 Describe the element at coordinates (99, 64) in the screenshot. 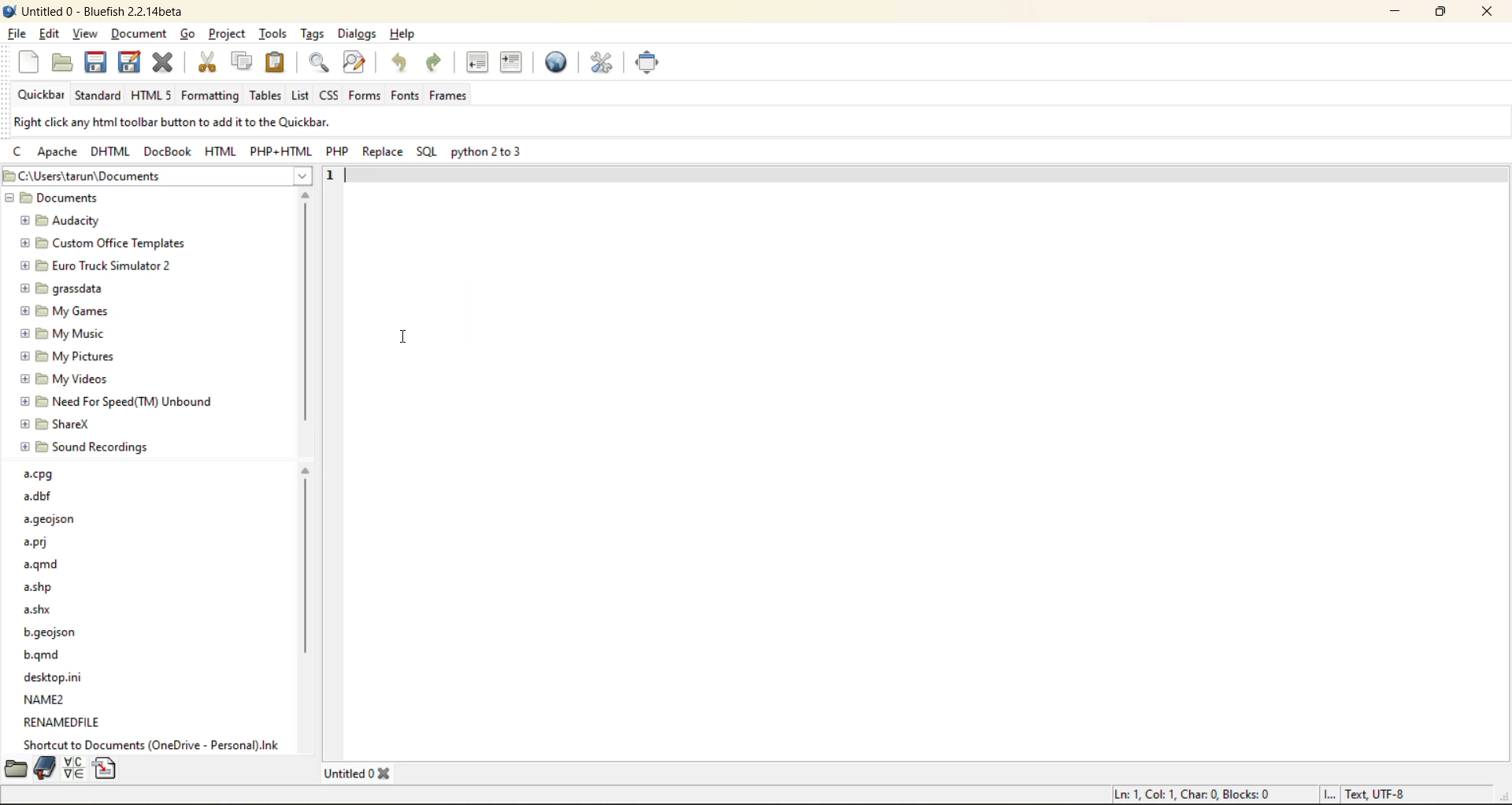

I see `save` at that location.